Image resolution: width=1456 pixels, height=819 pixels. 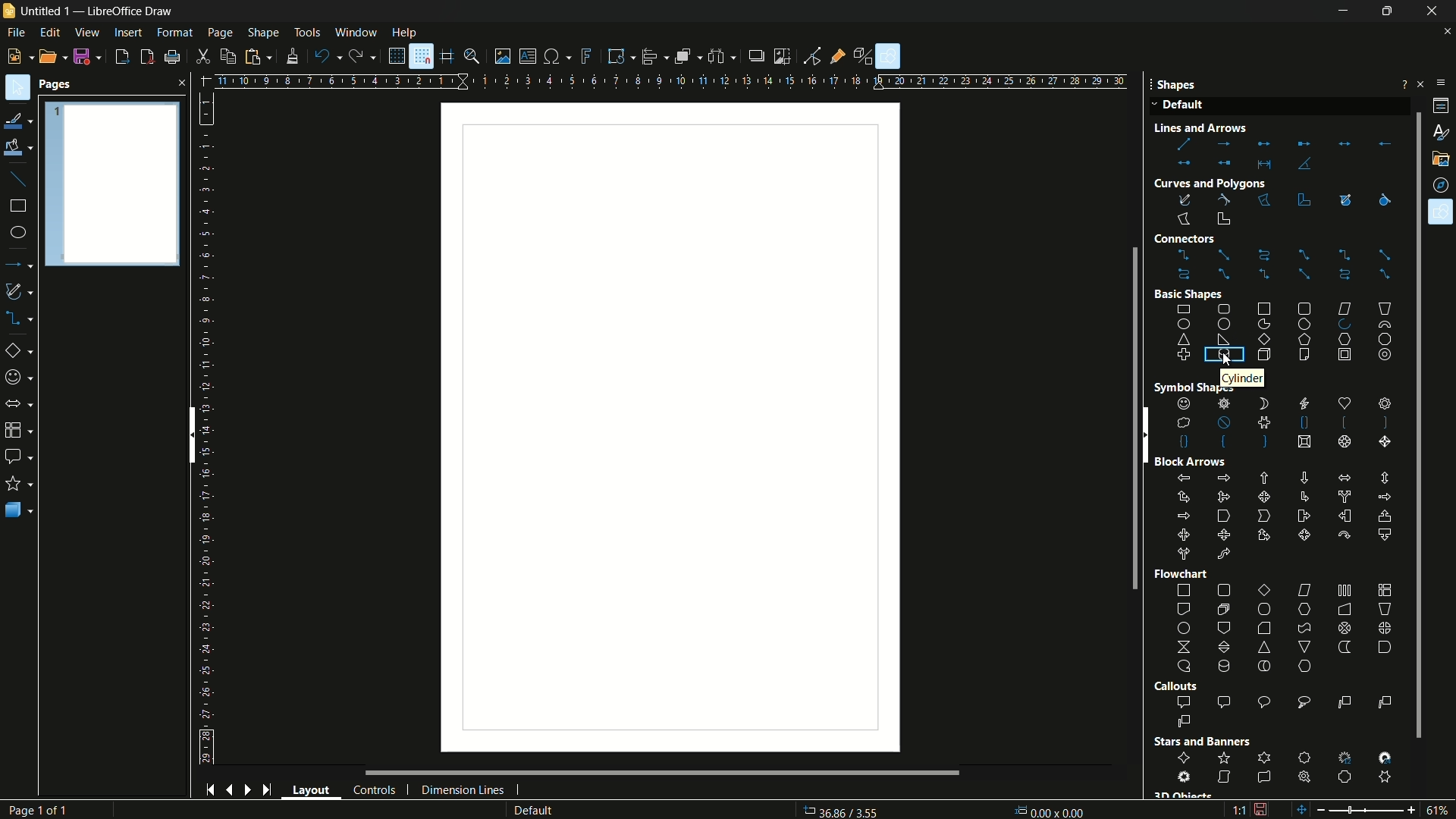 I want to click on print, so click(x=171, y=58).